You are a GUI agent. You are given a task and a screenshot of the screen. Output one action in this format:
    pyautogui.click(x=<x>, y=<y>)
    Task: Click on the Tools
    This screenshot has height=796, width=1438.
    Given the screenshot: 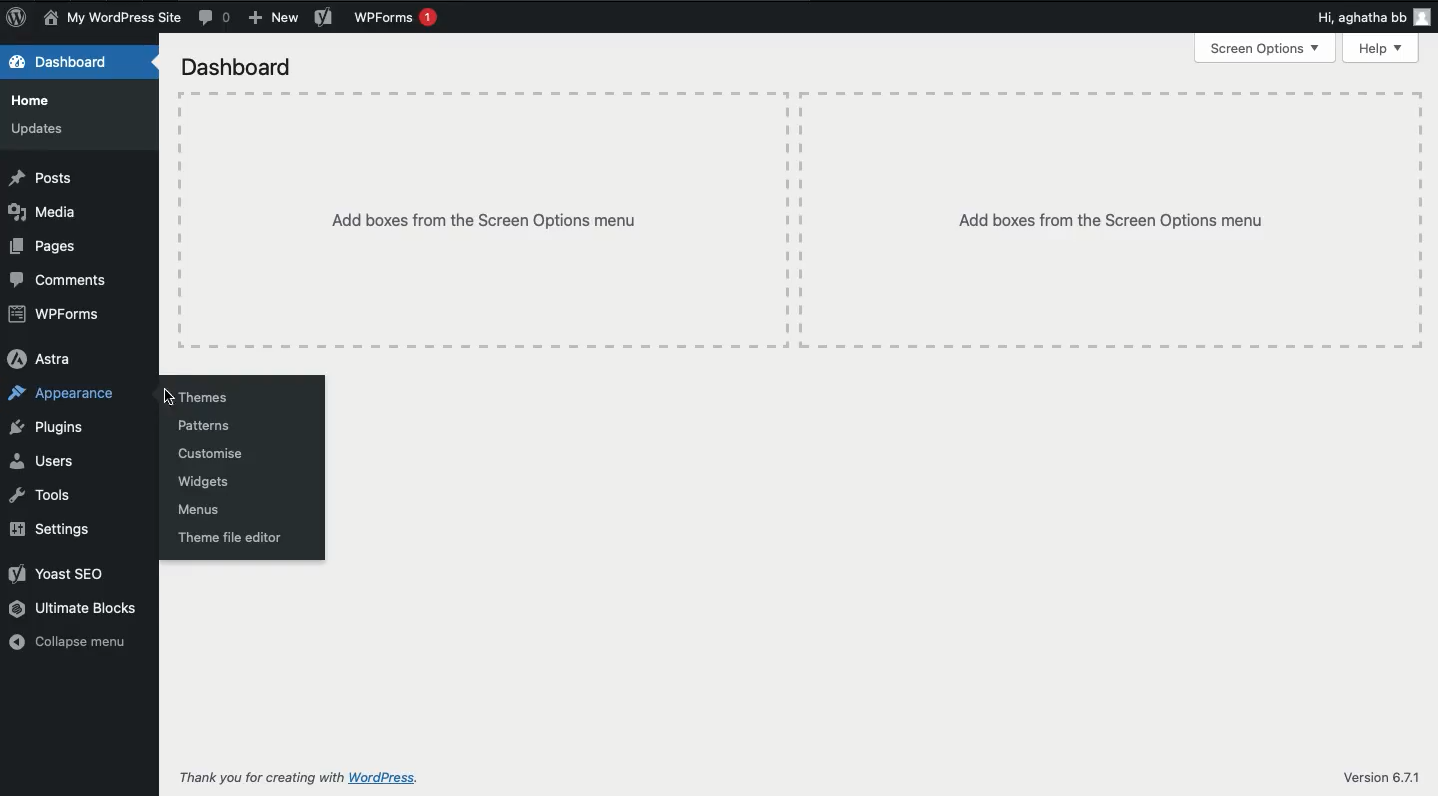 What is the action you would take?
    pyautogui.click(x=45, y=495)
    